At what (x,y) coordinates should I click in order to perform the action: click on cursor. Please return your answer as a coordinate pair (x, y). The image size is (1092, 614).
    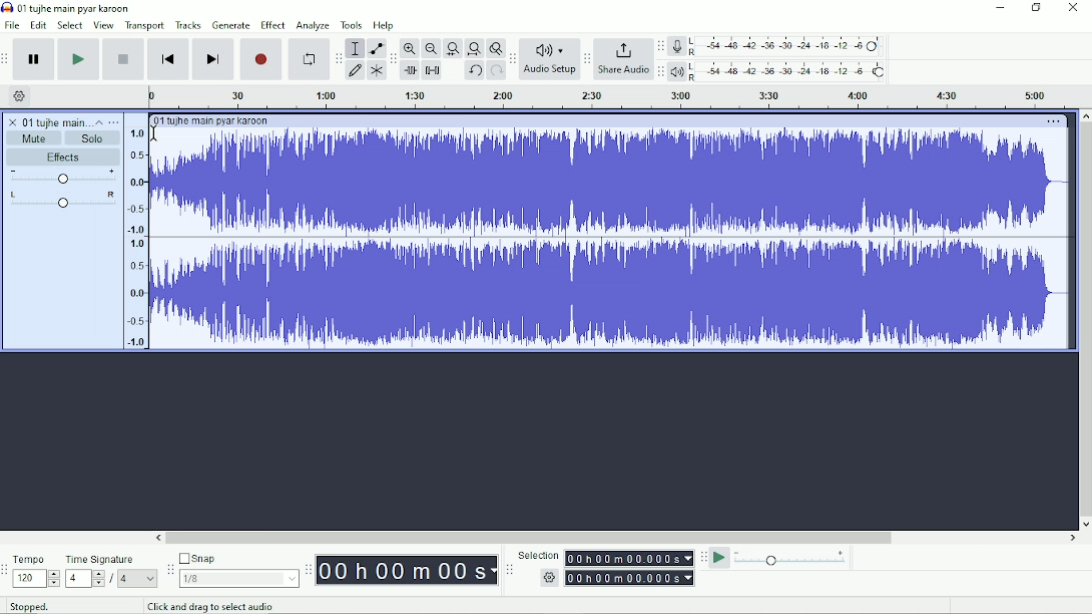
    Looking at the image, I should click on (154, 132).